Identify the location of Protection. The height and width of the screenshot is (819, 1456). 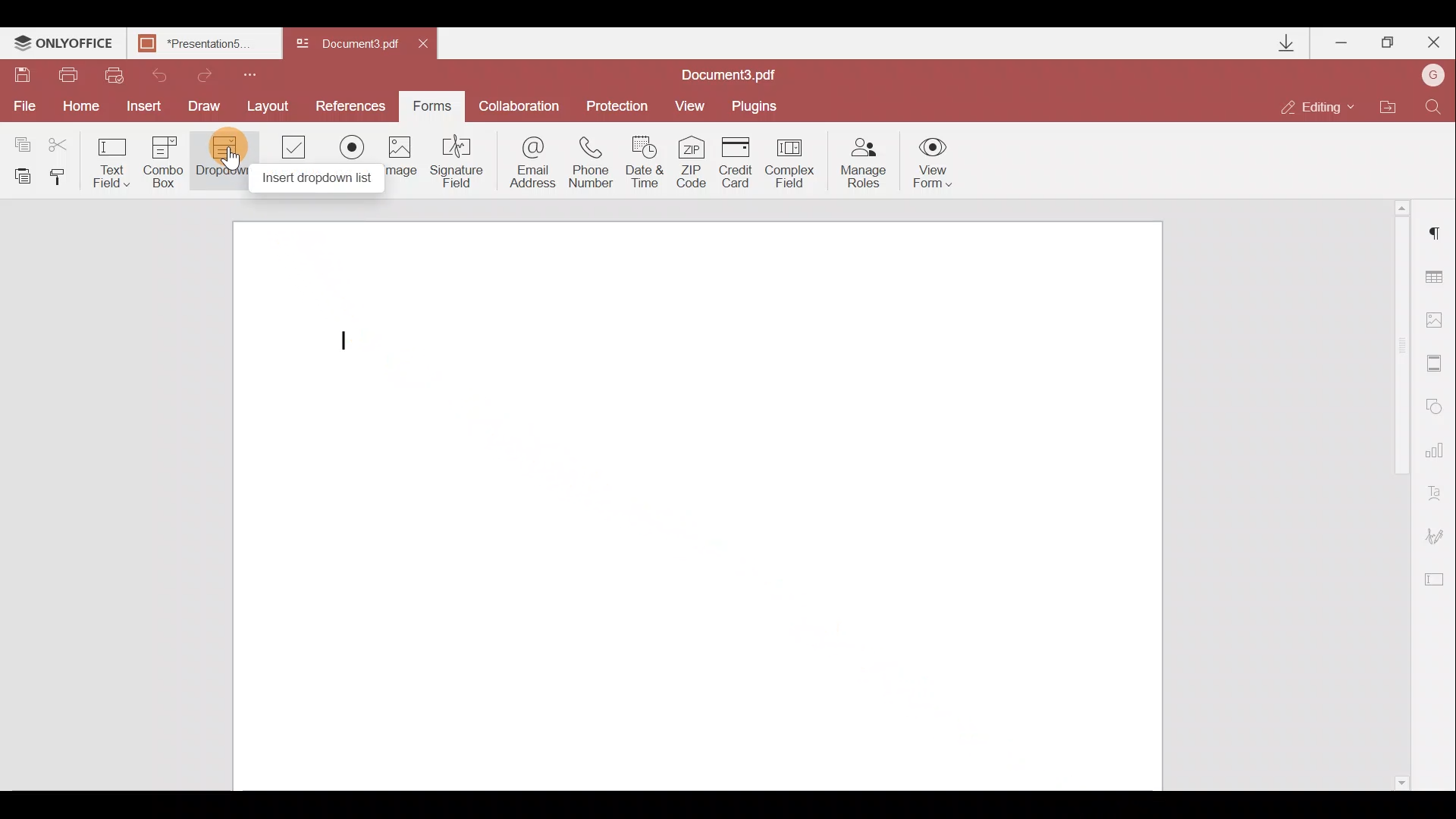
(615, 105).